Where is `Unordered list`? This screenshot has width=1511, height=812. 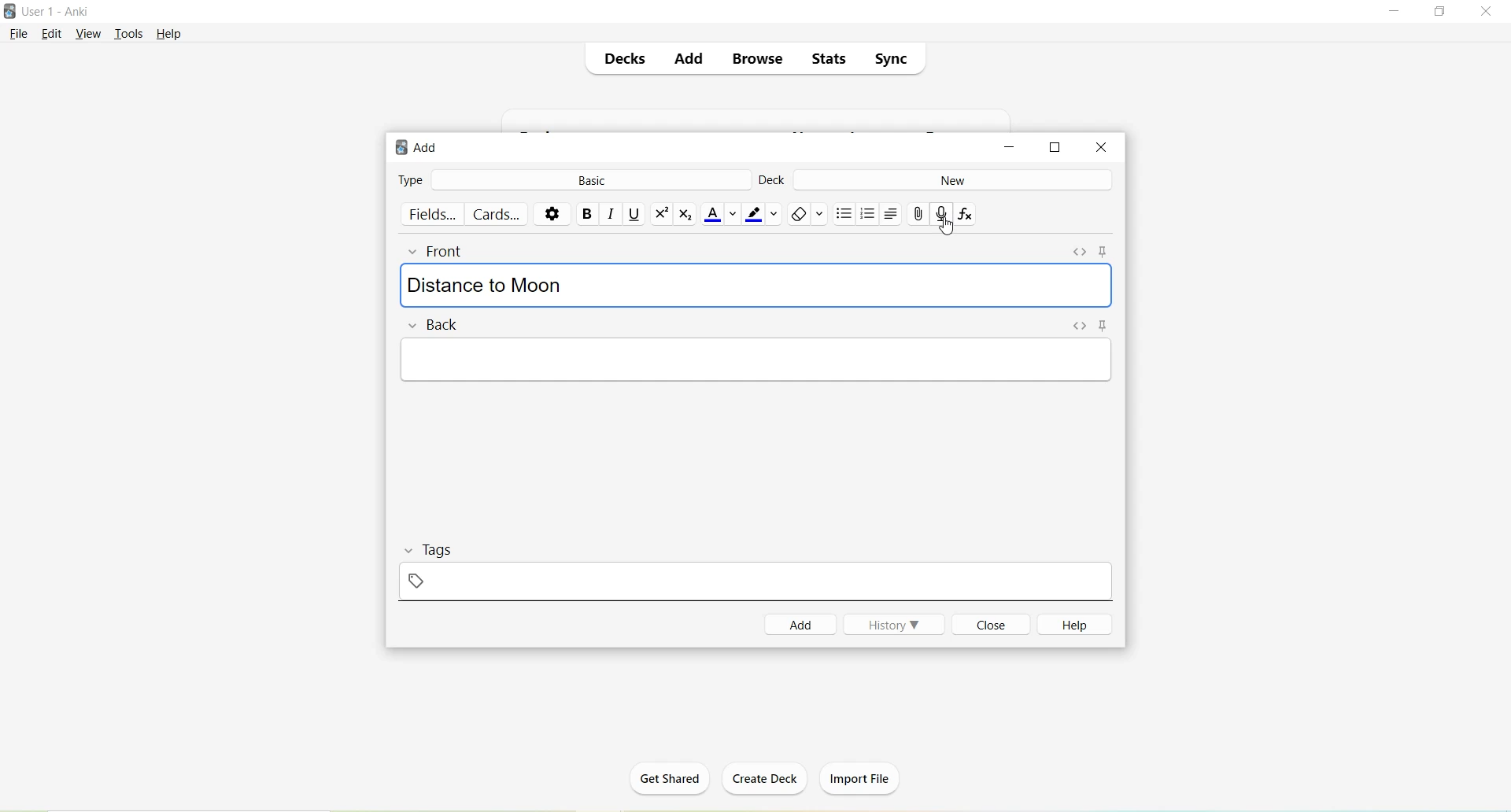 Unordered list is located at coordinates (843, 214).